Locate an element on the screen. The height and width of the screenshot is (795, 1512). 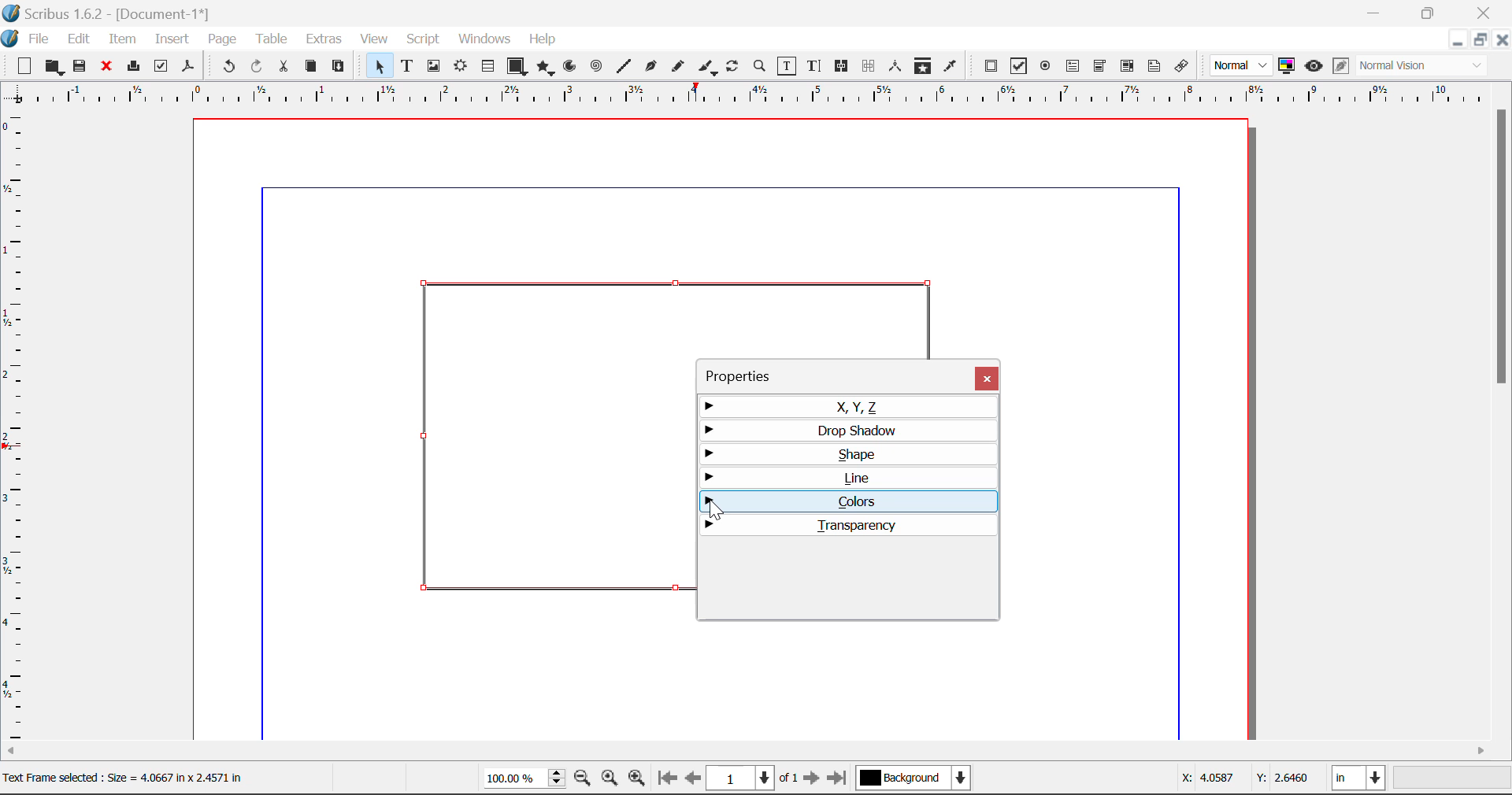
Discard is located at coordinates (107, 67).